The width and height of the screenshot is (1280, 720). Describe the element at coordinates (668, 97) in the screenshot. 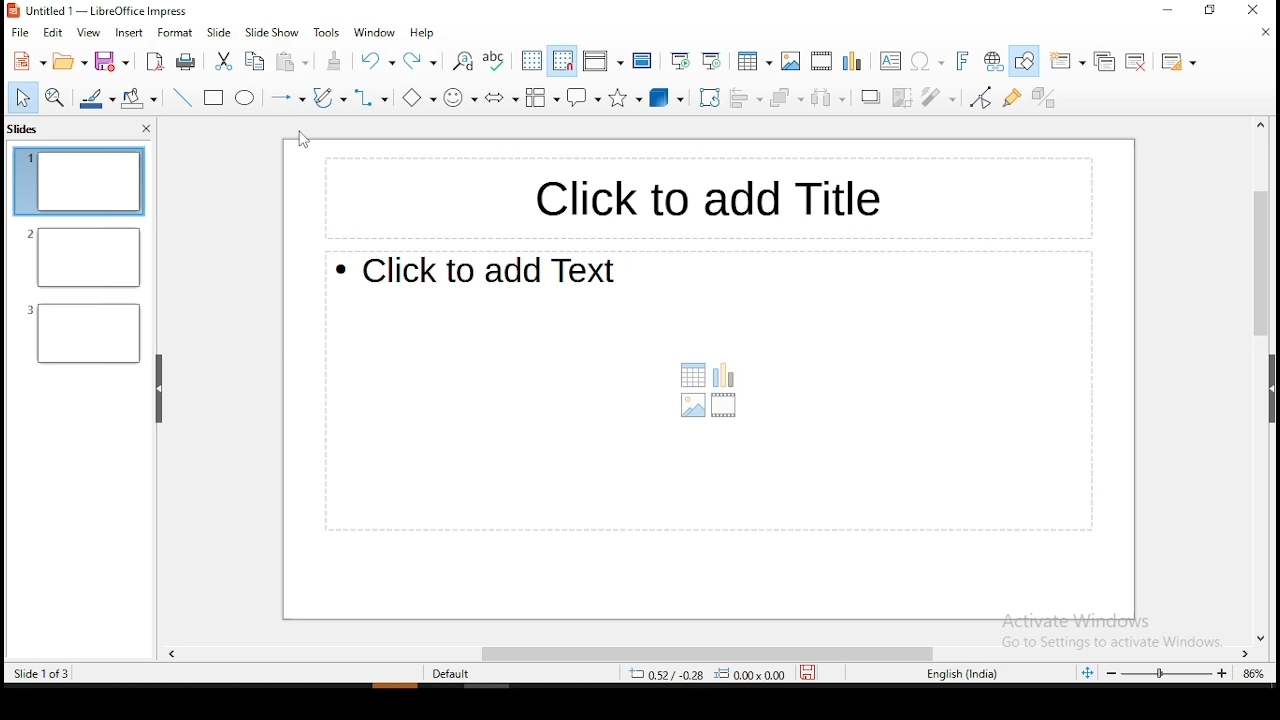

I see `3D shapes` at that location.